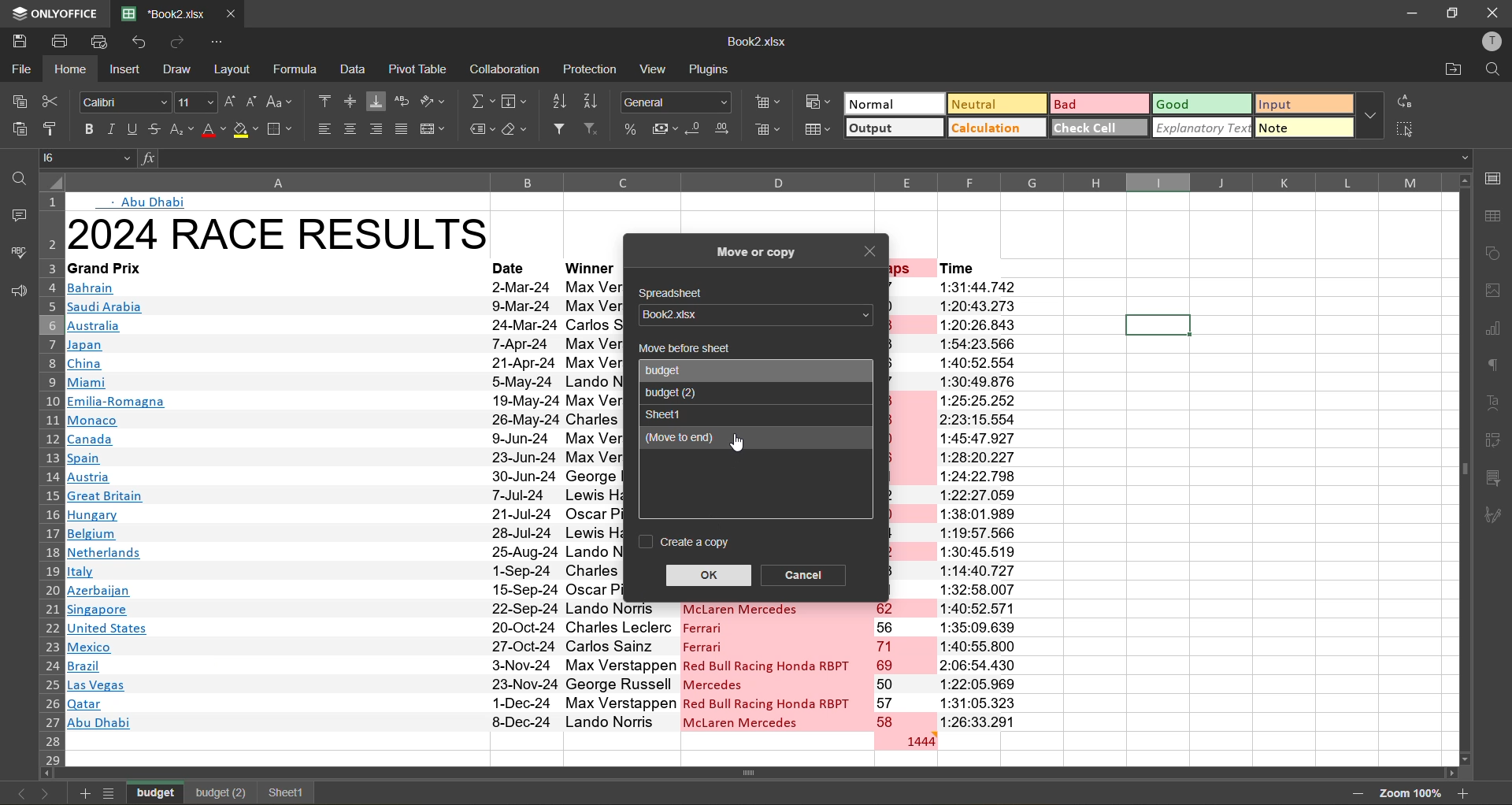 The height and width of the screenshot is (805, 1512). Describe the element at coordinates (126, 103) in the screenshot. I see `font style` at that location.